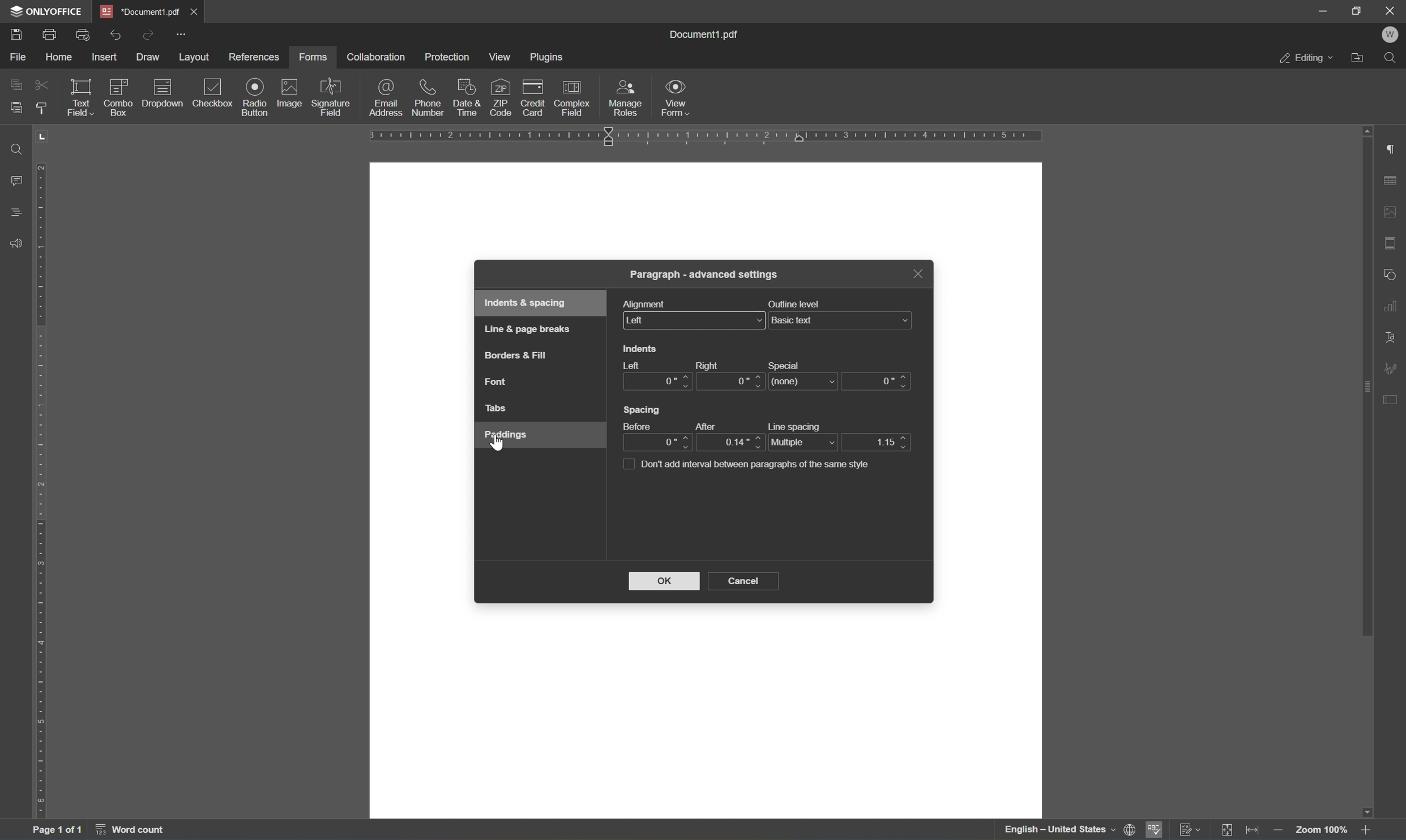 Image resolution: width=1406 pixels, height=840 pixels. Describe the element at coordinates (57, 832) in the screenshot. I see `page 1 of 1` at that location.